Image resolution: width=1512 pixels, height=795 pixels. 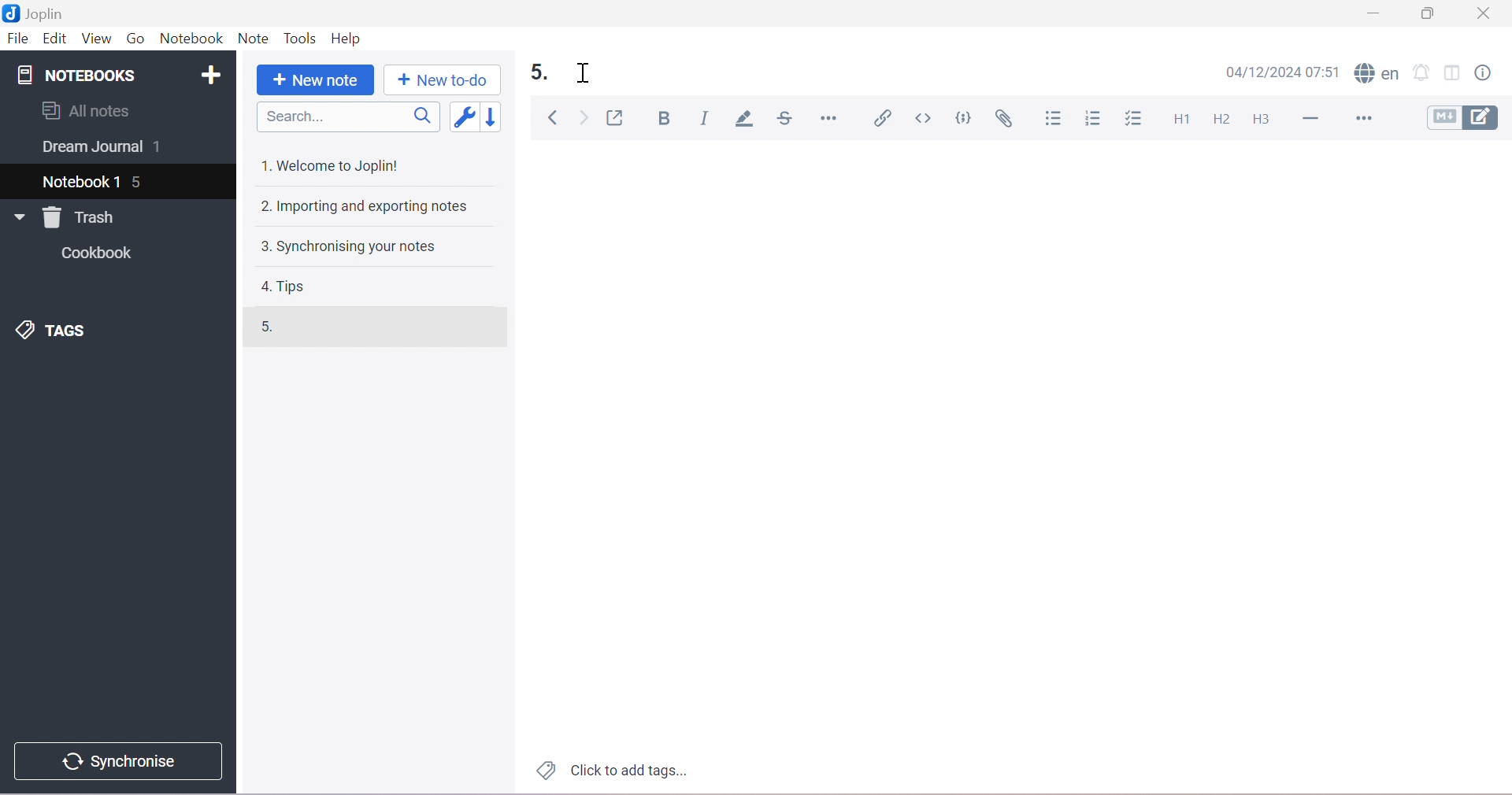 What do you see at coordinates (543, 73) in the screenshot?
I see `5. ` at bounding box center [543, 73].